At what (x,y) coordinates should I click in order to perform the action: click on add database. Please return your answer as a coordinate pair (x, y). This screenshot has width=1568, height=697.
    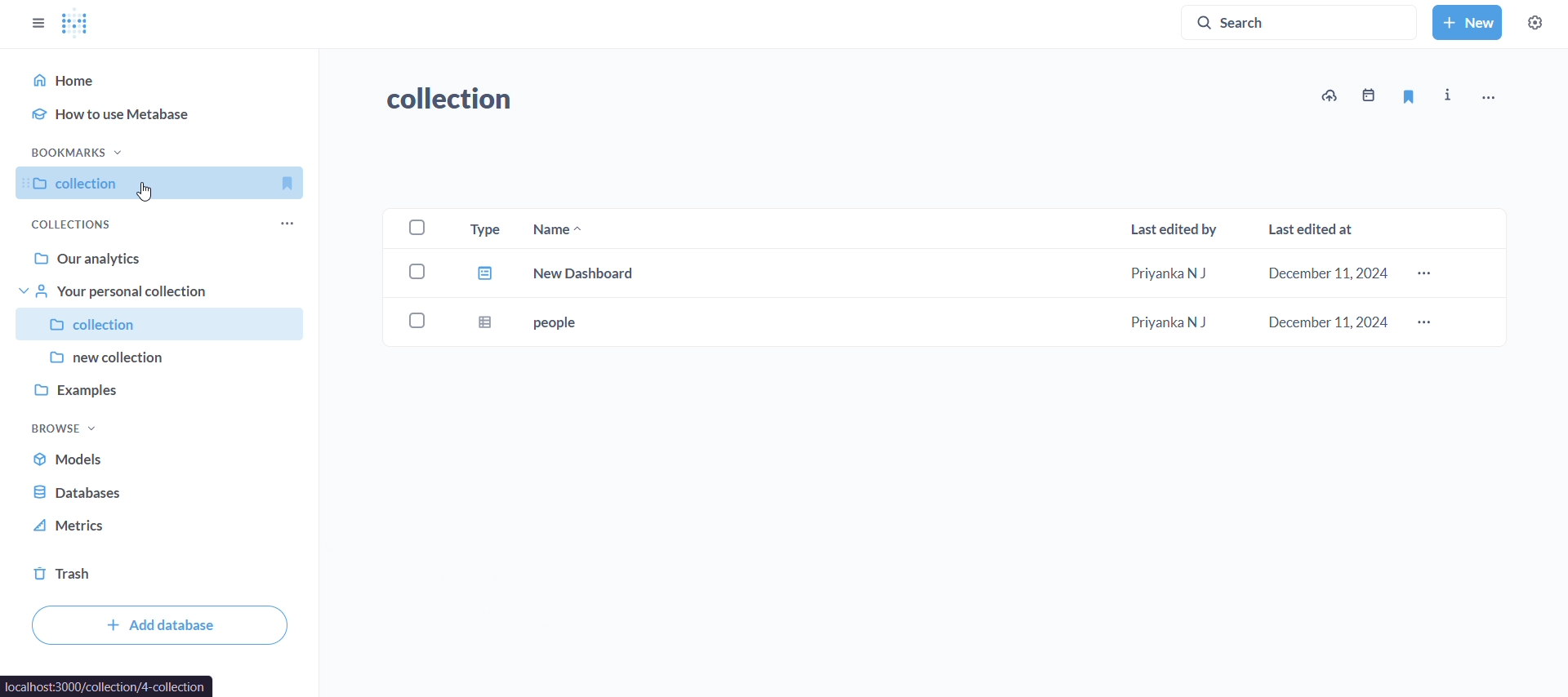
    Looking at the image, I should click on (163, 625).